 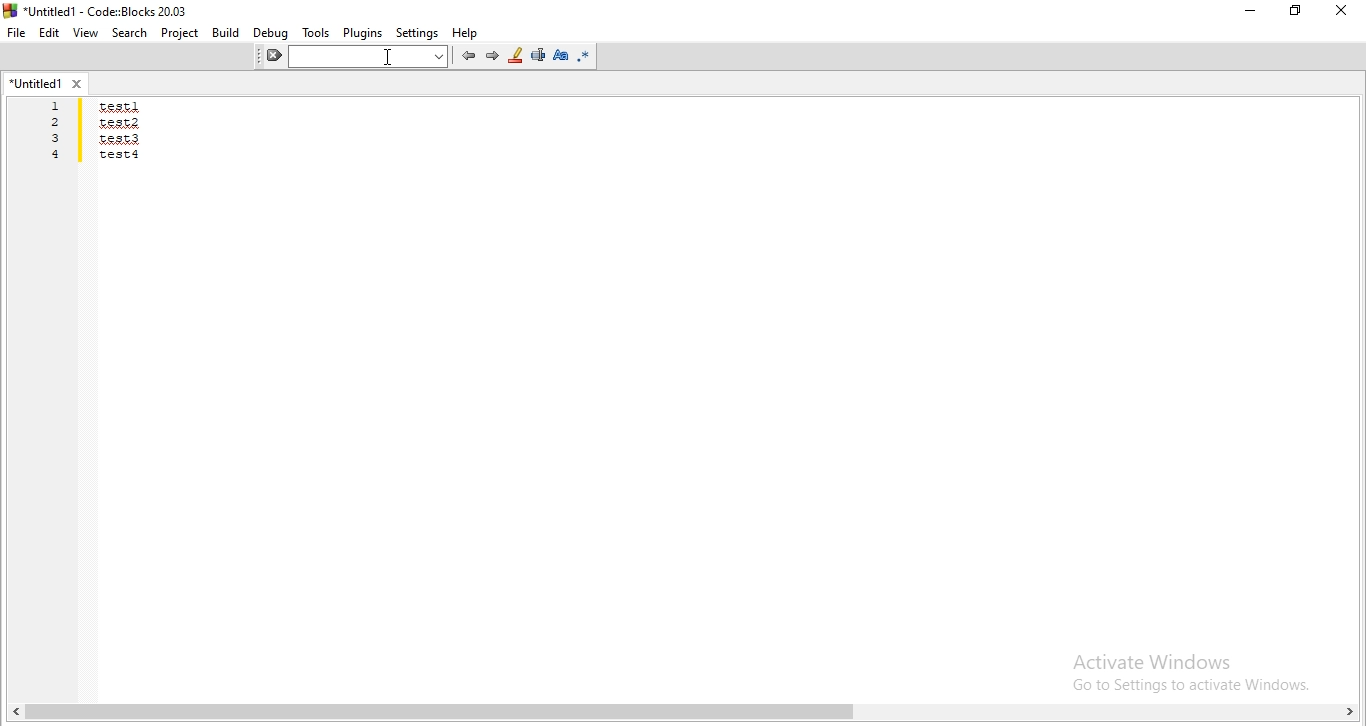 I want to click on Build , so click(x=225, y=32).